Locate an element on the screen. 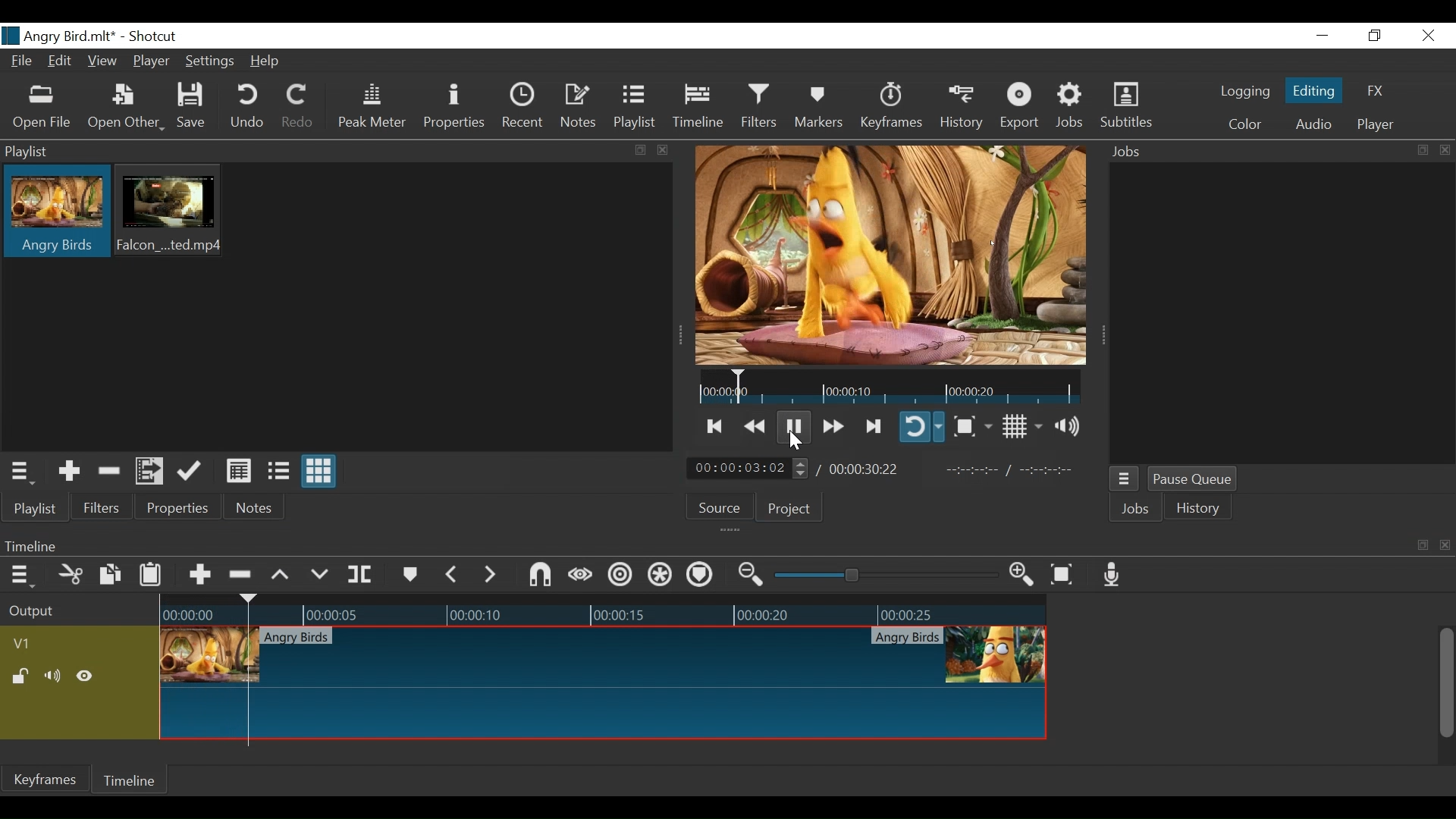  Toggle Zoom is located at coordinates (972, 426).